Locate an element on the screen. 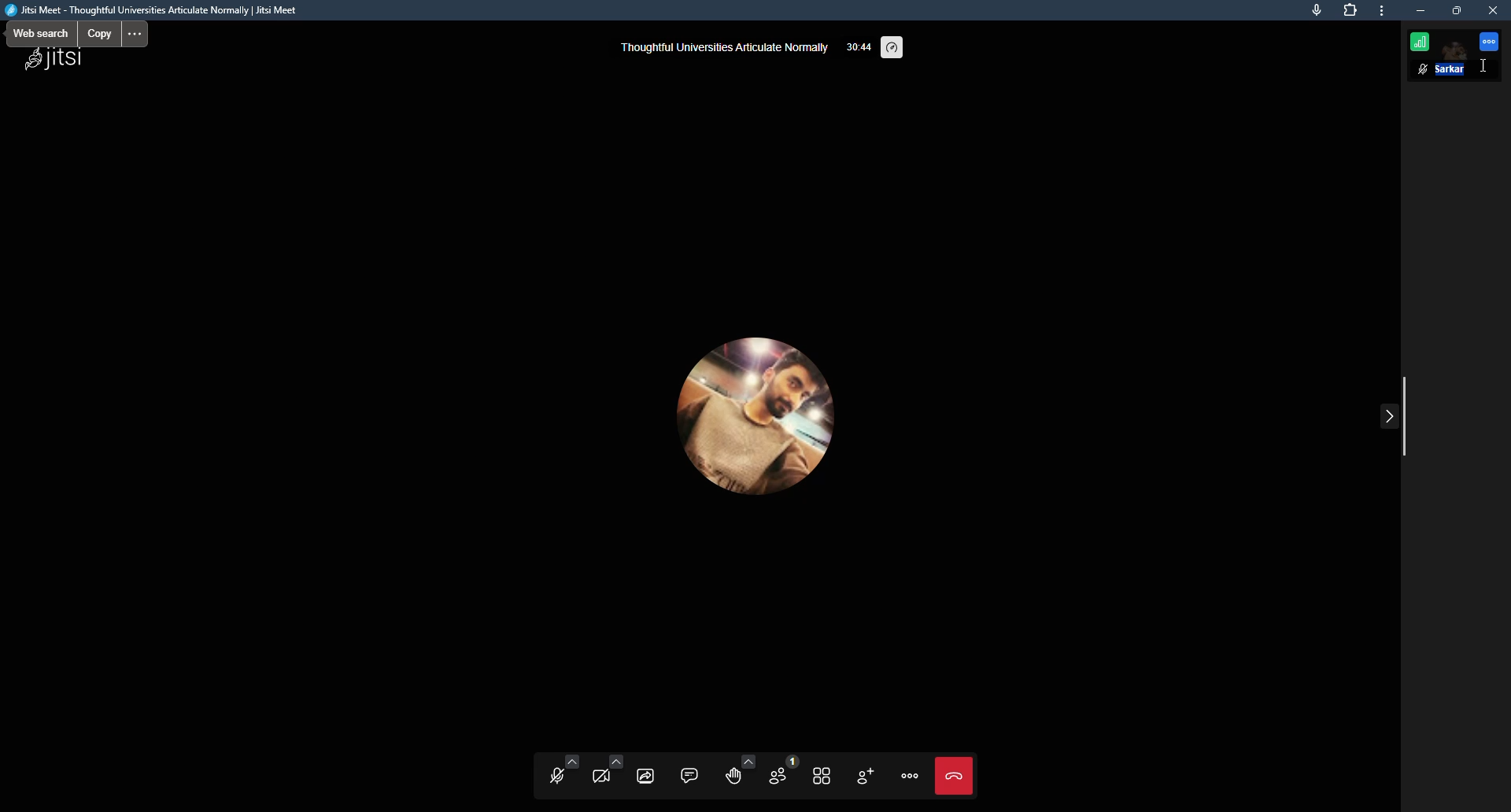  participants is located at coordinates (779, 773).